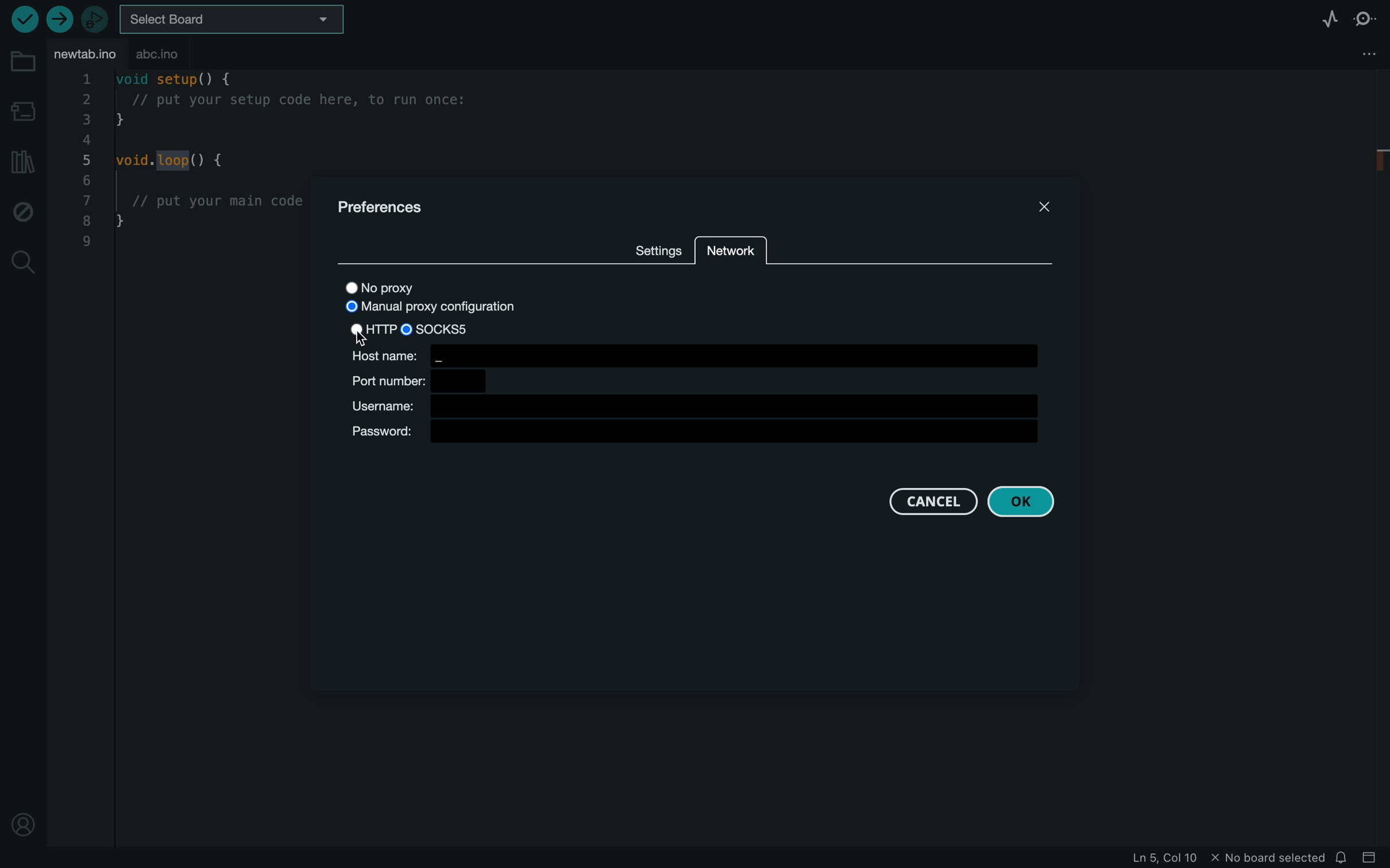 The width and height of the screenshot is (1390, 868). What do you see at coordinates (22, 110) in the screenshot?
I see `board manager` at bounding box center [22, 110].